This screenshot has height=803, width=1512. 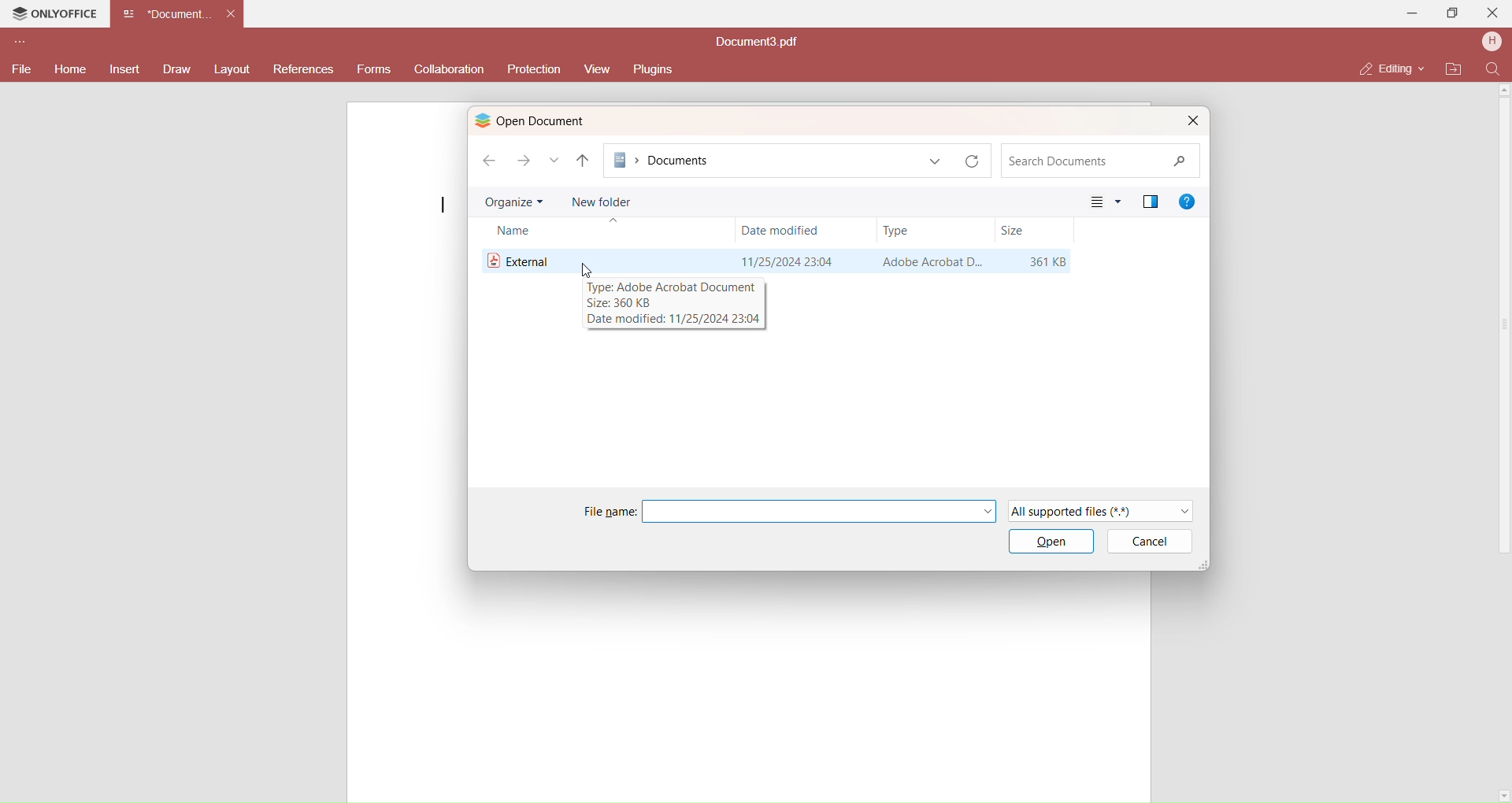 I want to click on File Type, so click(x=928, y=262).